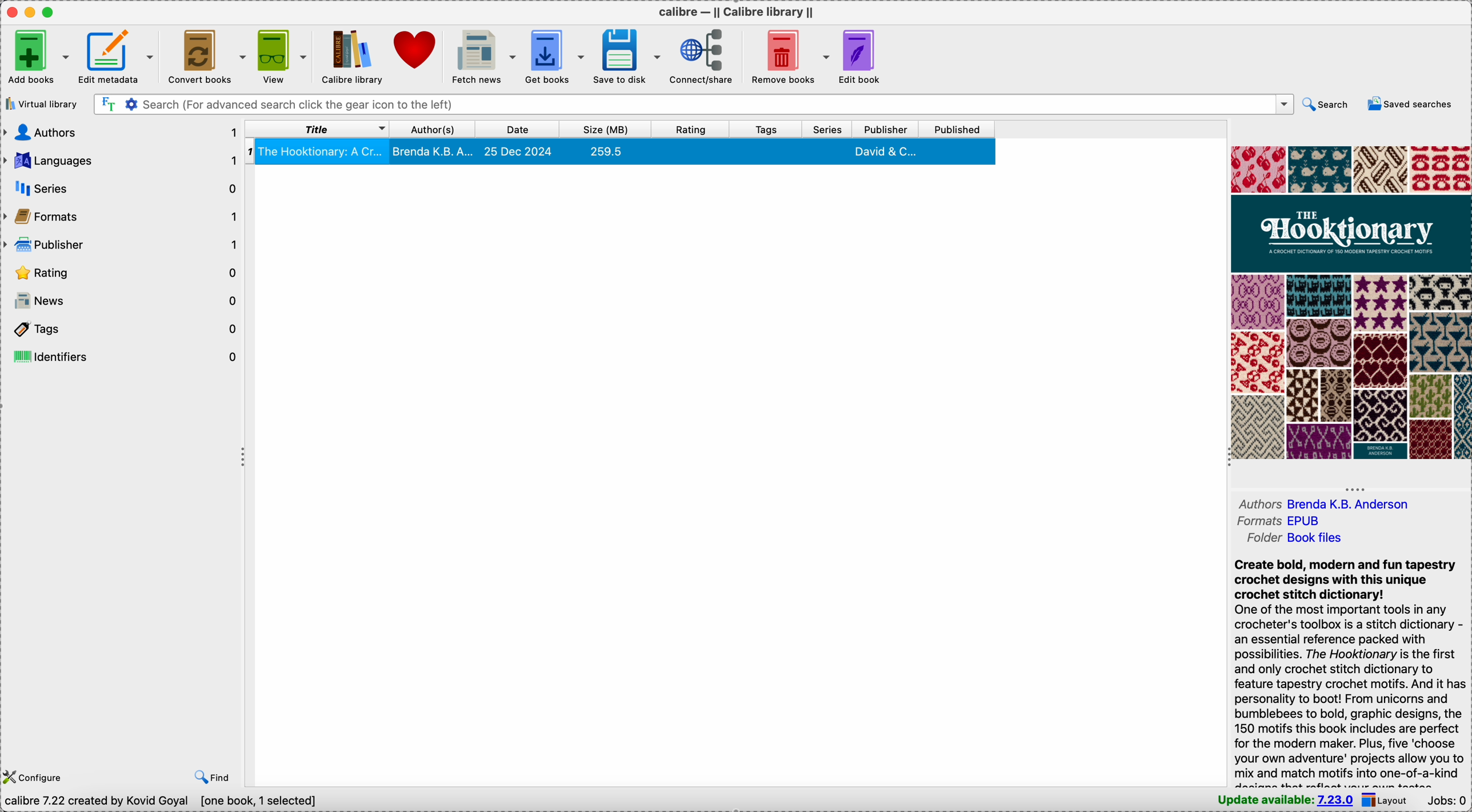  Describe the element at coordinates (33, 12) in the screenshot. I see `minimize` at that location.